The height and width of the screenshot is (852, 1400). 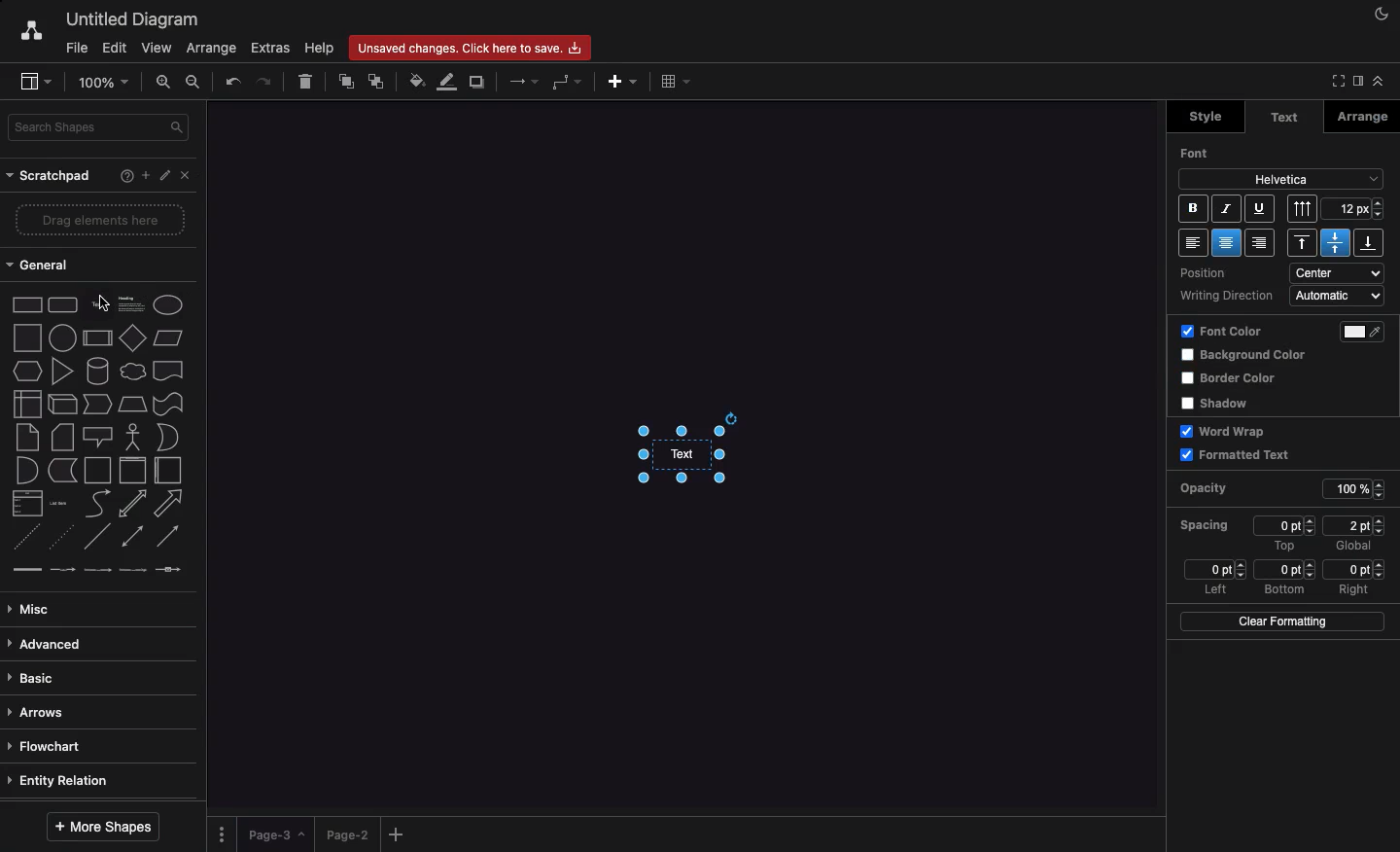 What do you see at coordinates (131, 504) in the screenshot?
I see `bidirectional arrow` at bounding box center [131, 504].